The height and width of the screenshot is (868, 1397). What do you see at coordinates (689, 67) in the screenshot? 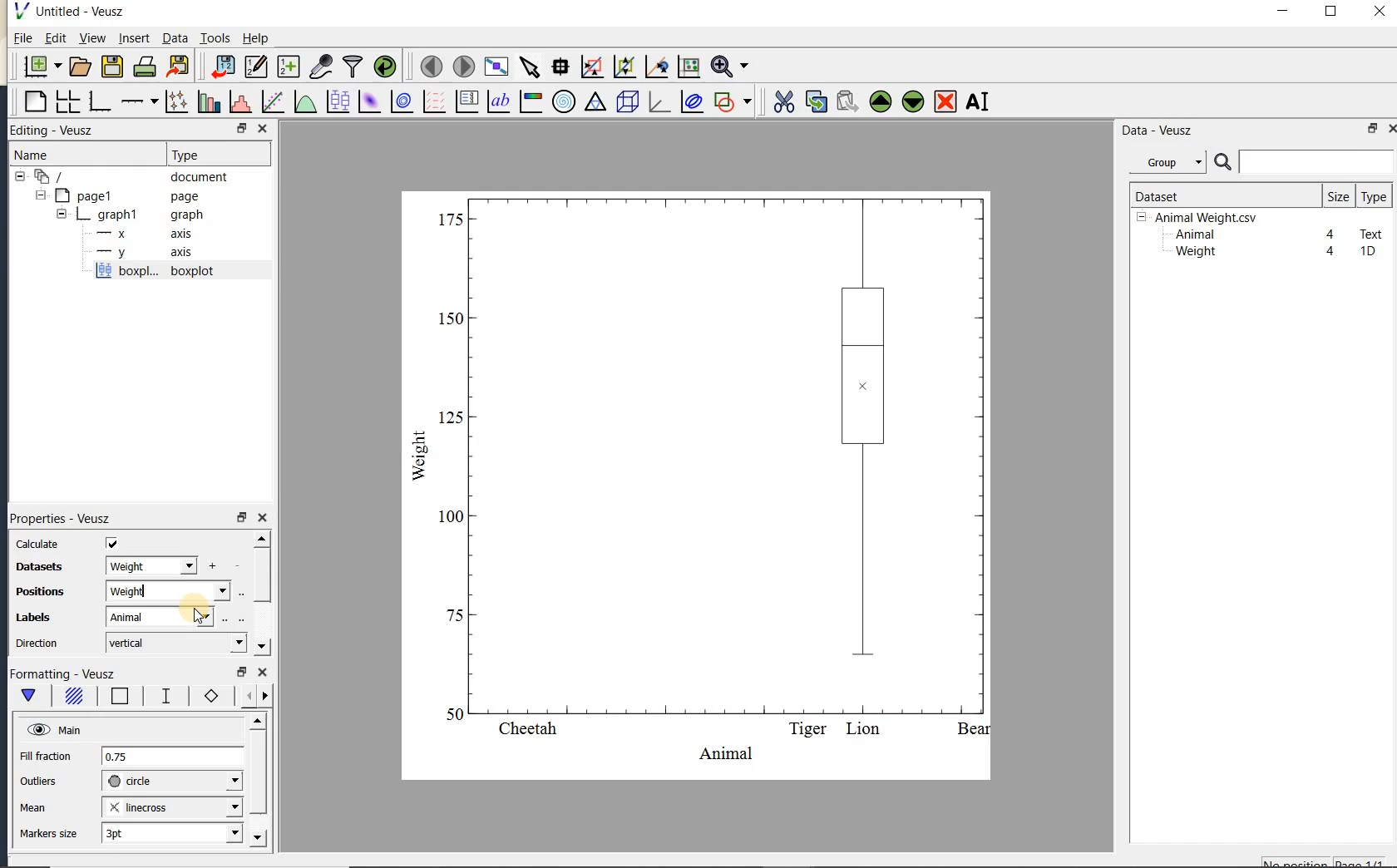
I see `click to reset graph axes` at bounding box center [689, 67].